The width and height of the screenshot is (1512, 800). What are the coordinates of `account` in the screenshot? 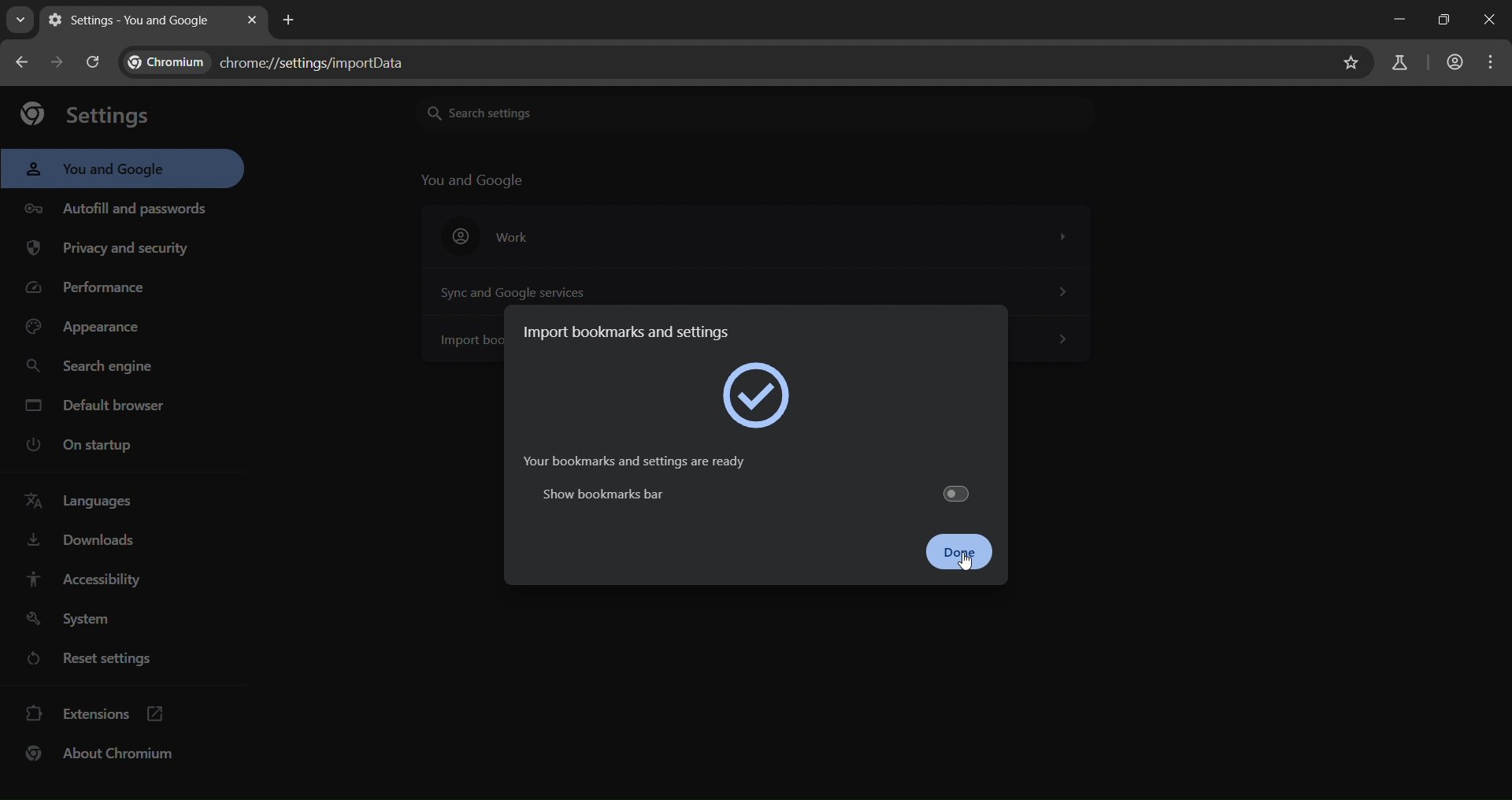 It's located at (1455, 61).